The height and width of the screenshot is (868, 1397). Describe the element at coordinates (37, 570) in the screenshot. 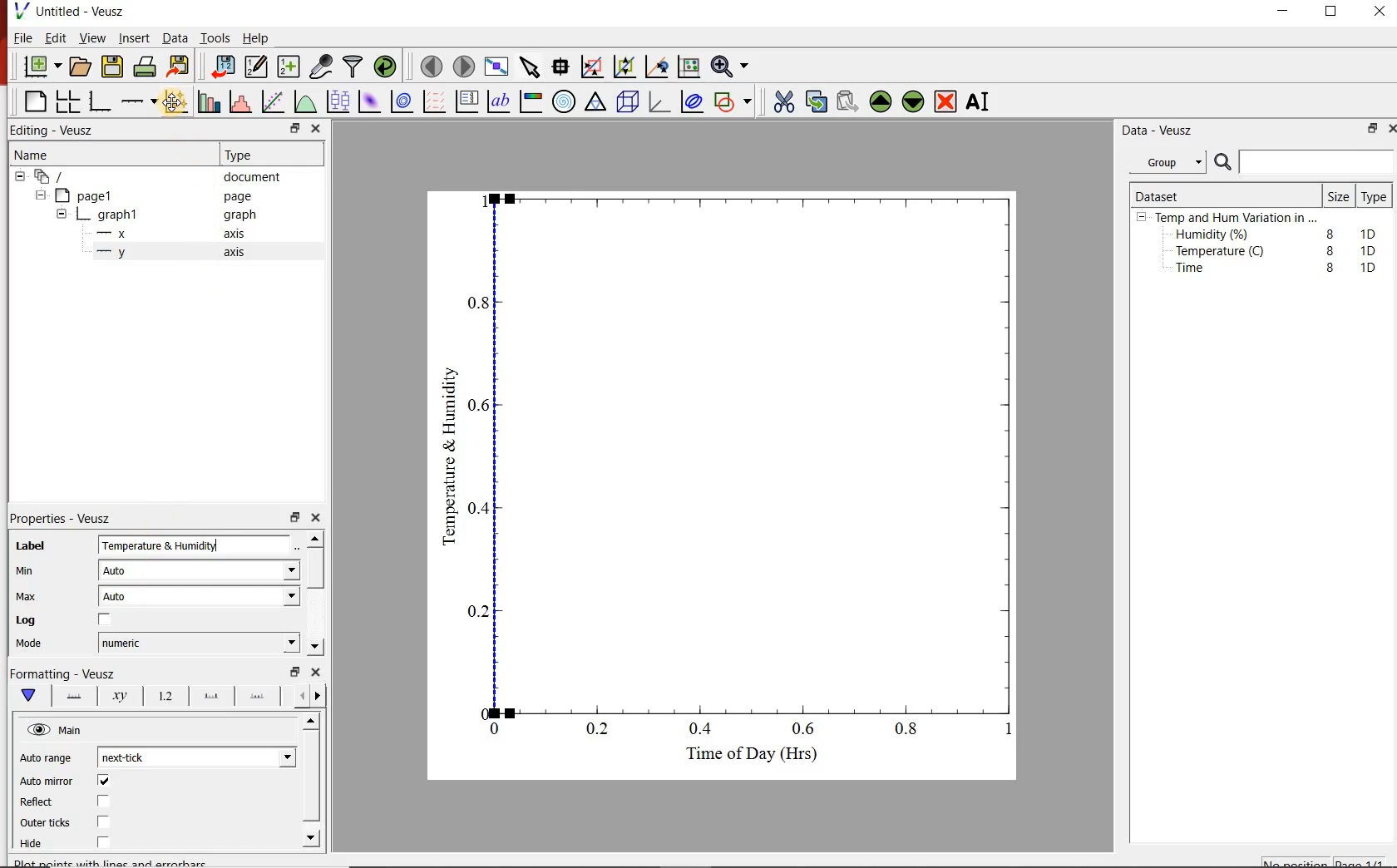

I see `Min` at that location.